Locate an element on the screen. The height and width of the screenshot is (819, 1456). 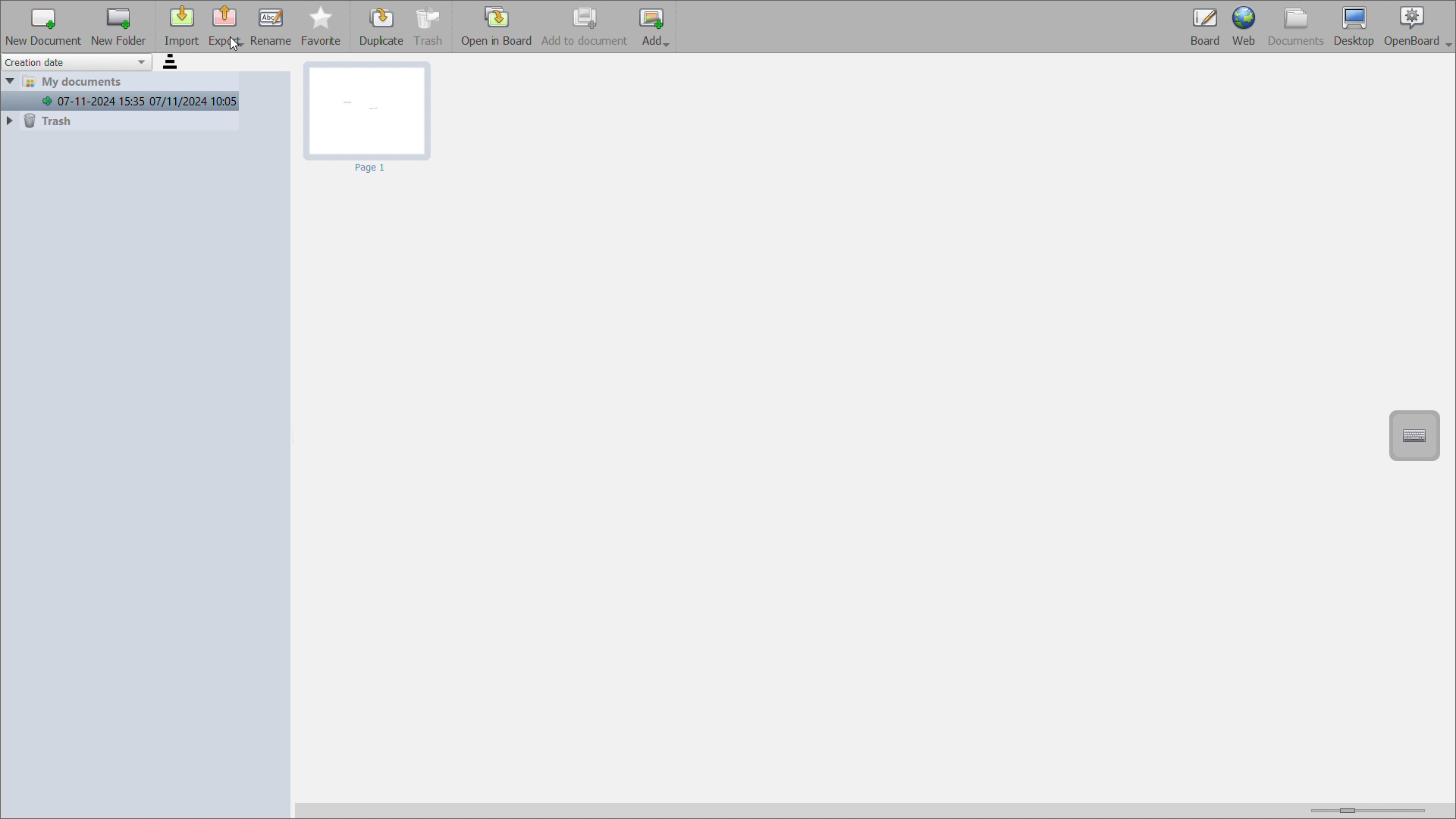
trash is located at coordinates (430, 27).